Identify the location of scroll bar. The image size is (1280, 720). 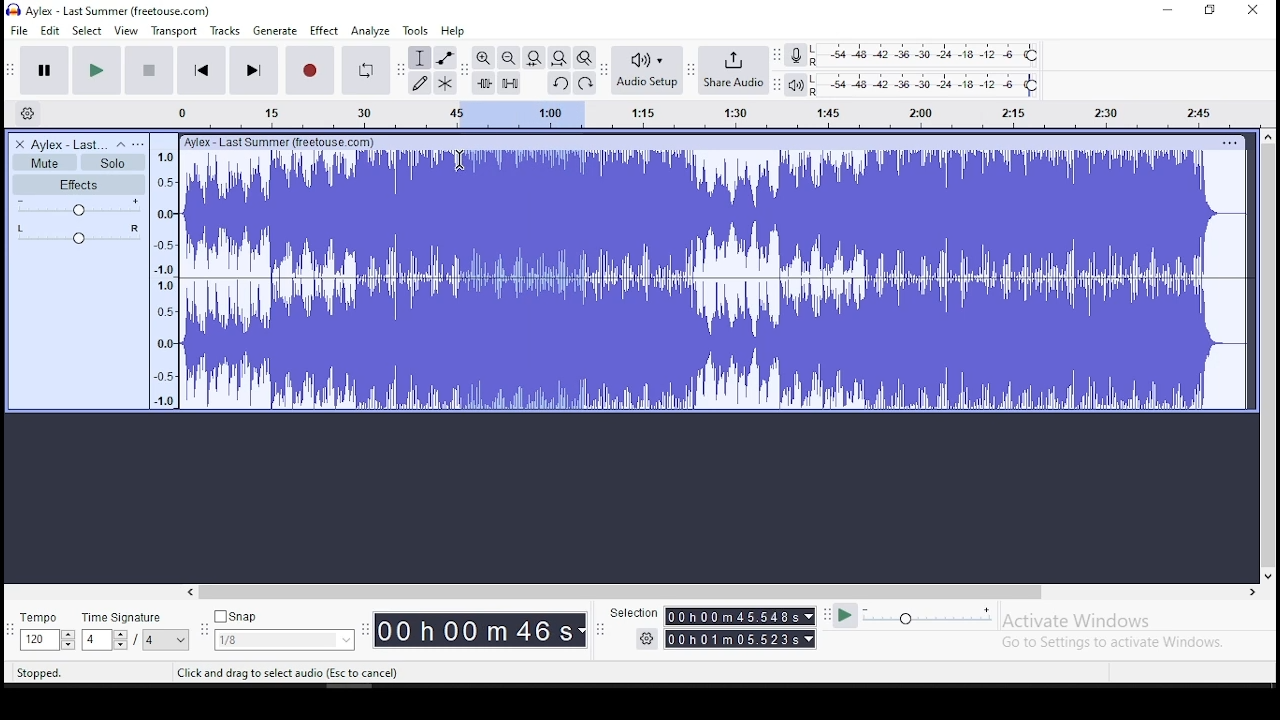
(1268, 356).